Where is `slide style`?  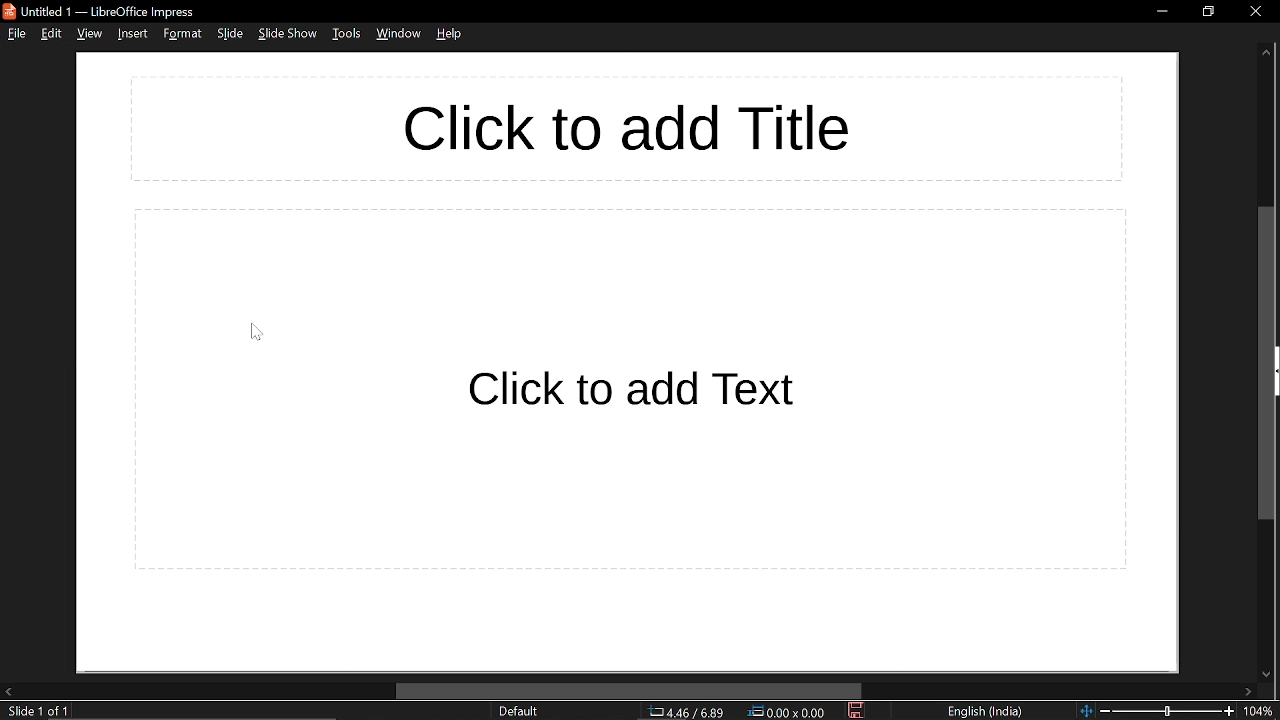 slide style is located at coordinates (518, 711).